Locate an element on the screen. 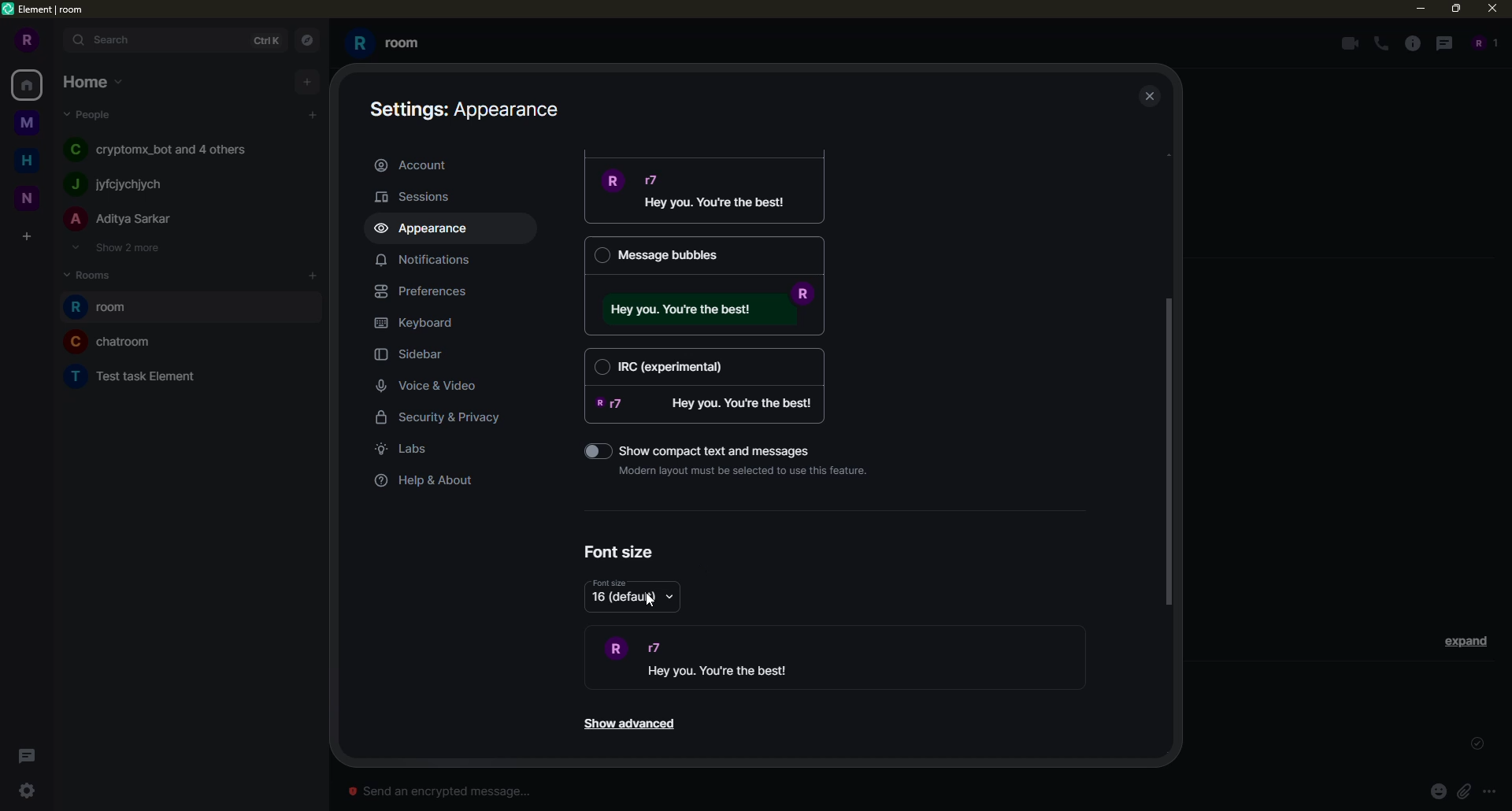 The height and width of the screenshot is (811, 1512). close is located at coordinates (1151, 98).